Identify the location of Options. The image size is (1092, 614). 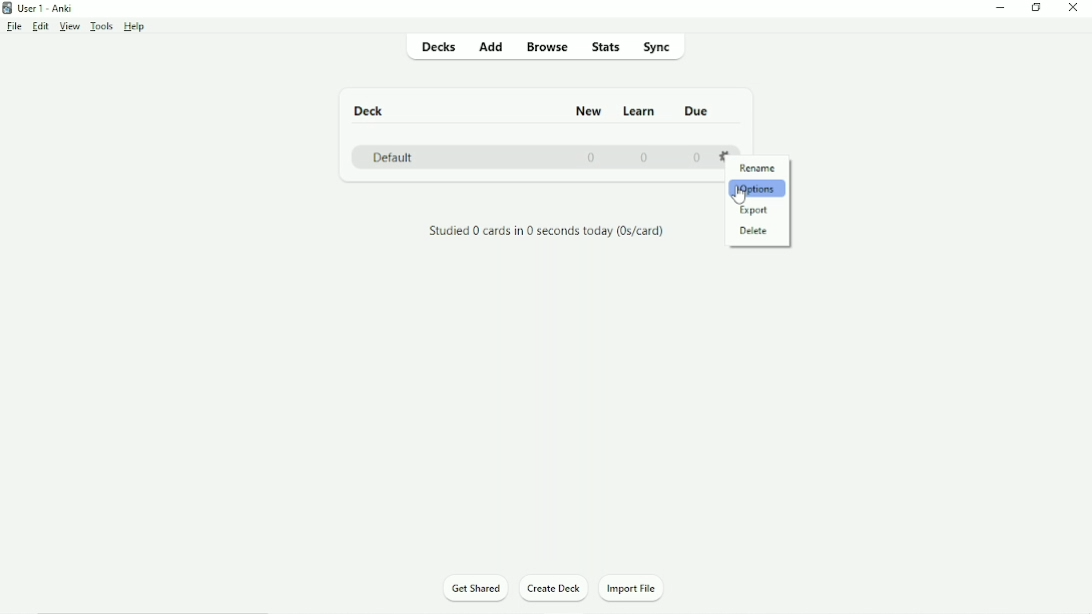
(756, 189).